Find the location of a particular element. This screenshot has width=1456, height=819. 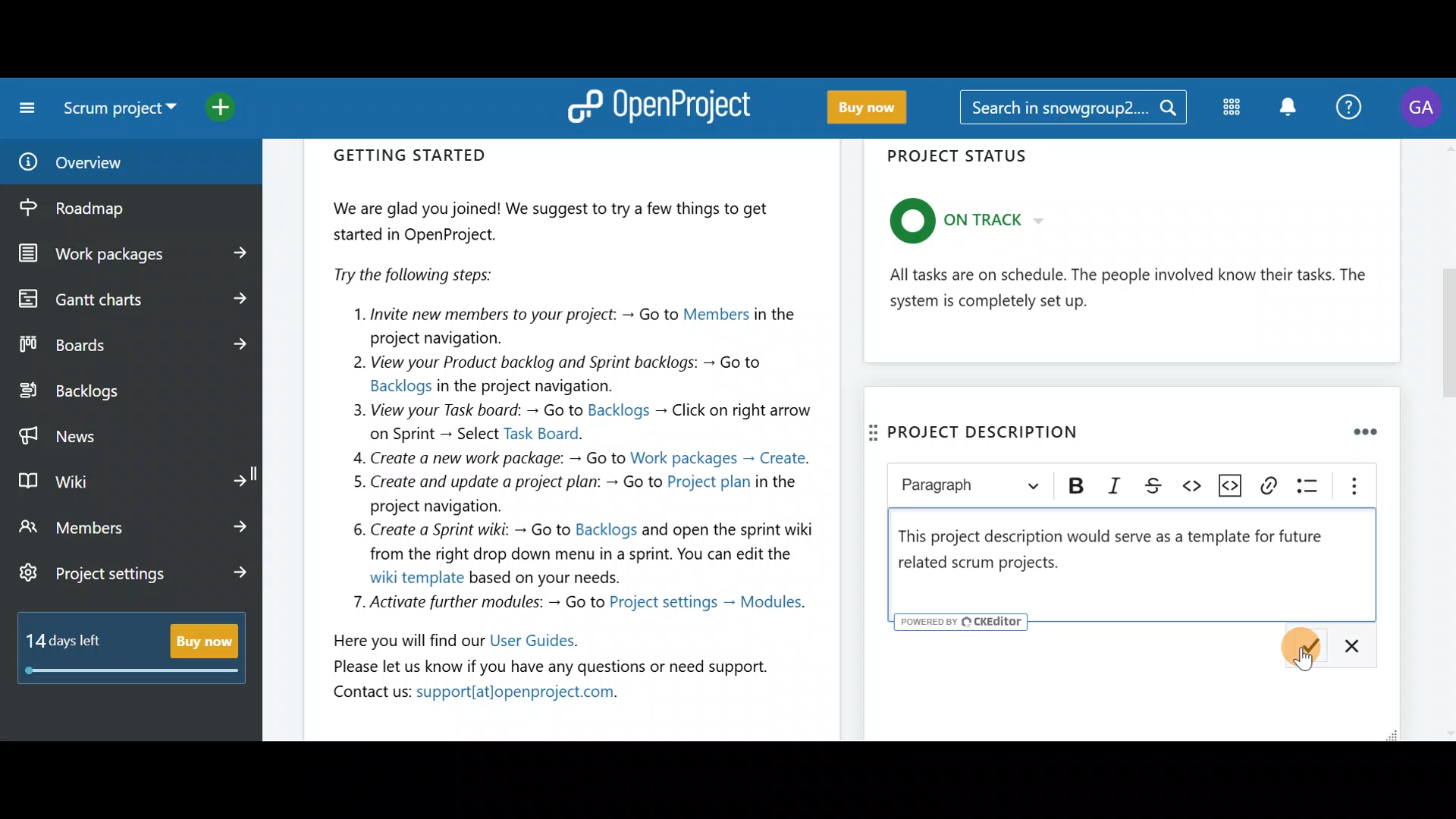

Buy now is located at coordinates (868, 108).